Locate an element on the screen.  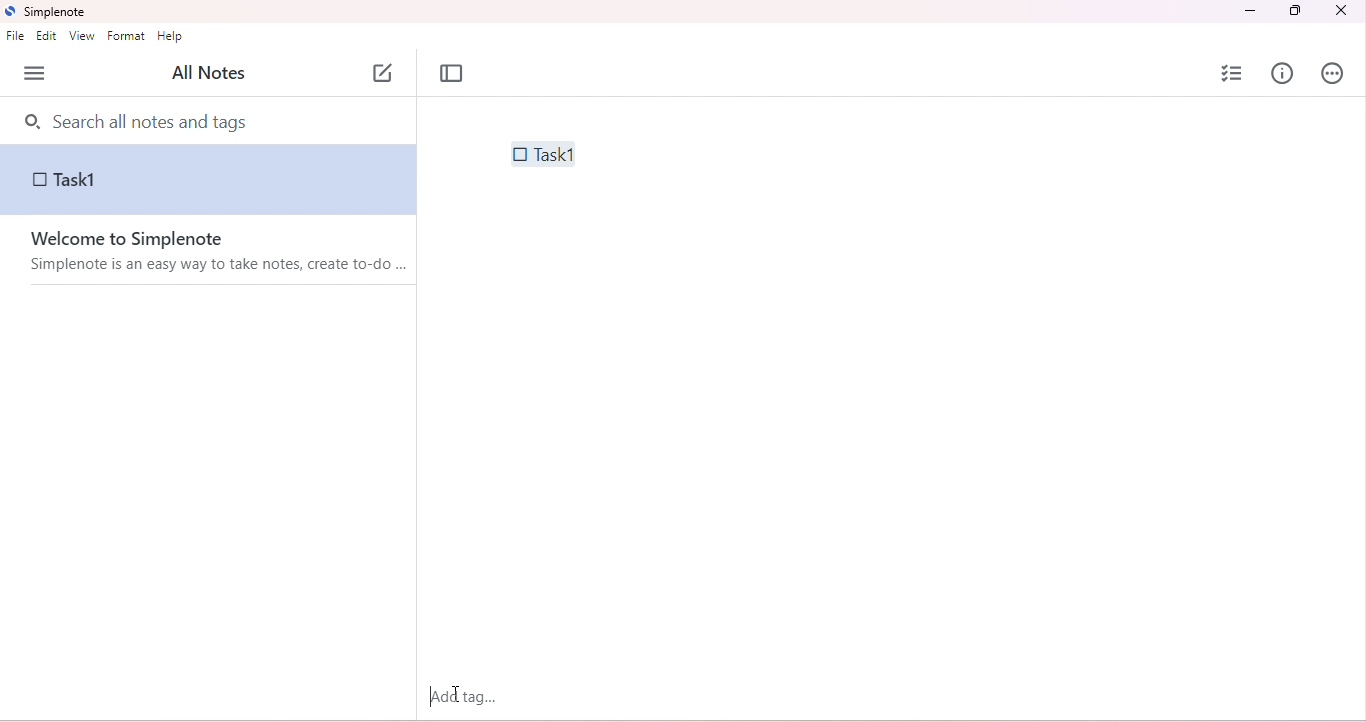
close is located at coordinates (1340, 12).